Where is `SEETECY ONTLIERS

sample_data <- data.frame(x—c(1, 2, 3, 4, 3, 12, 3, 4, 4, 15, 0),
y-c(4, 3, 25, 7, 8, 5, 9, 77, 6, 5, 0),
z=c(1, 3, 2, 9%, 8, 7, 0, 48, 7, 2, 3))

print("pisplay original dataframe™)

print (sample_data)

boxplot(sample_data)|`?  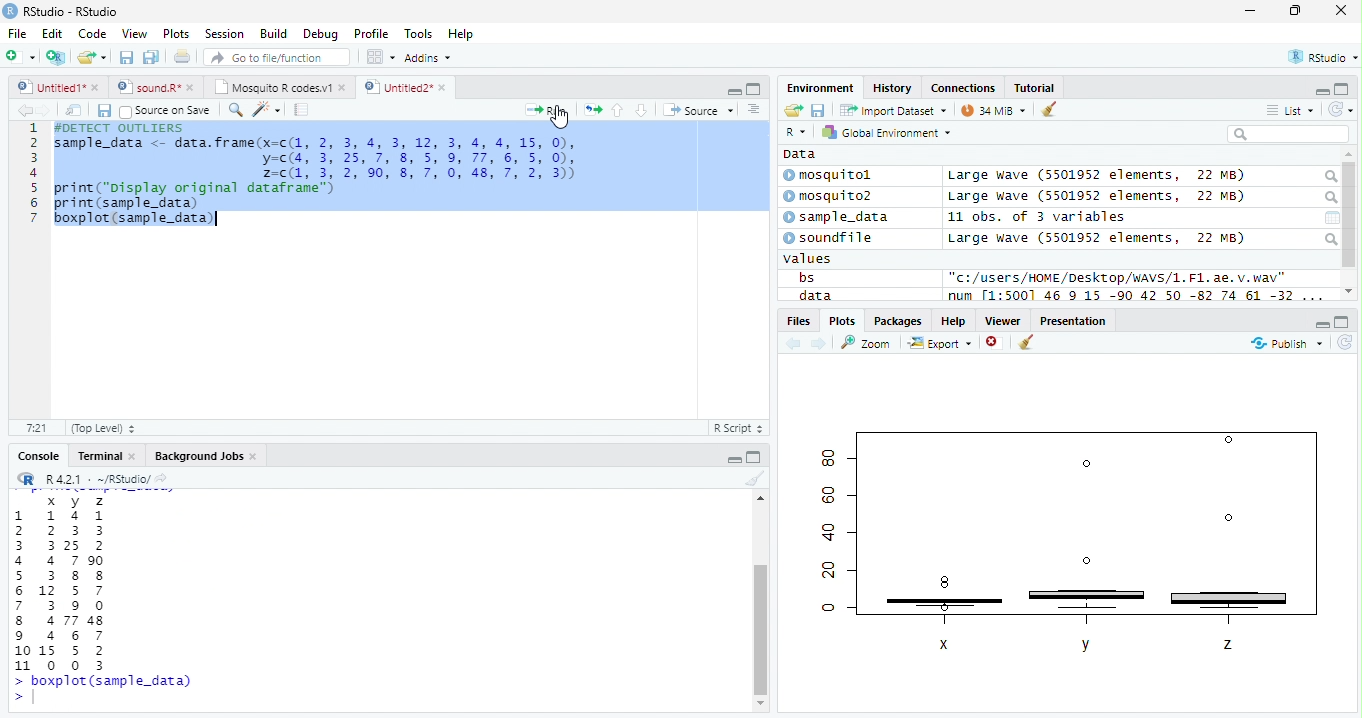
SEETECY ONTLIERS

sample_data <- data.frame(x—c(1, 2, 3, 4, 3, 12, 3, 4, 4, 15, 0),
y-c(4, 3, 25, 7, 8, 5, 9, 77, 6, 5, 0),
z=c(1, 3, 2, 9%, 8, 7, 0, 48, 7, 2, 3))

print("pisplay original dataframe™)

print (sample_data)

boxplot(sample_data)| is located at coordinates (318, 175).